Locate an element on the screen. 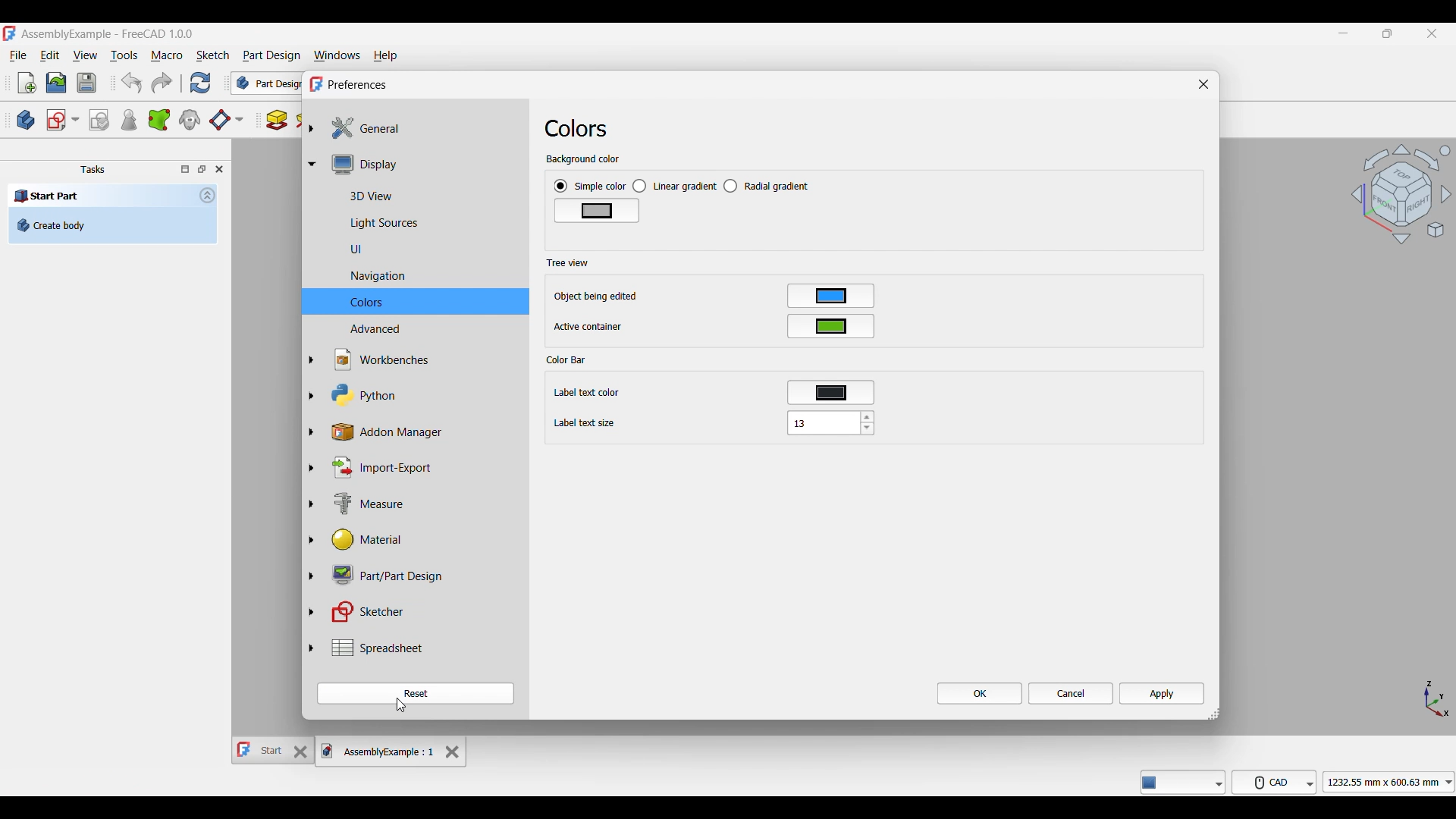 Image resolution: width=1456 pixels, height=819 pixels. Part design is located at coordinates (271, 55).